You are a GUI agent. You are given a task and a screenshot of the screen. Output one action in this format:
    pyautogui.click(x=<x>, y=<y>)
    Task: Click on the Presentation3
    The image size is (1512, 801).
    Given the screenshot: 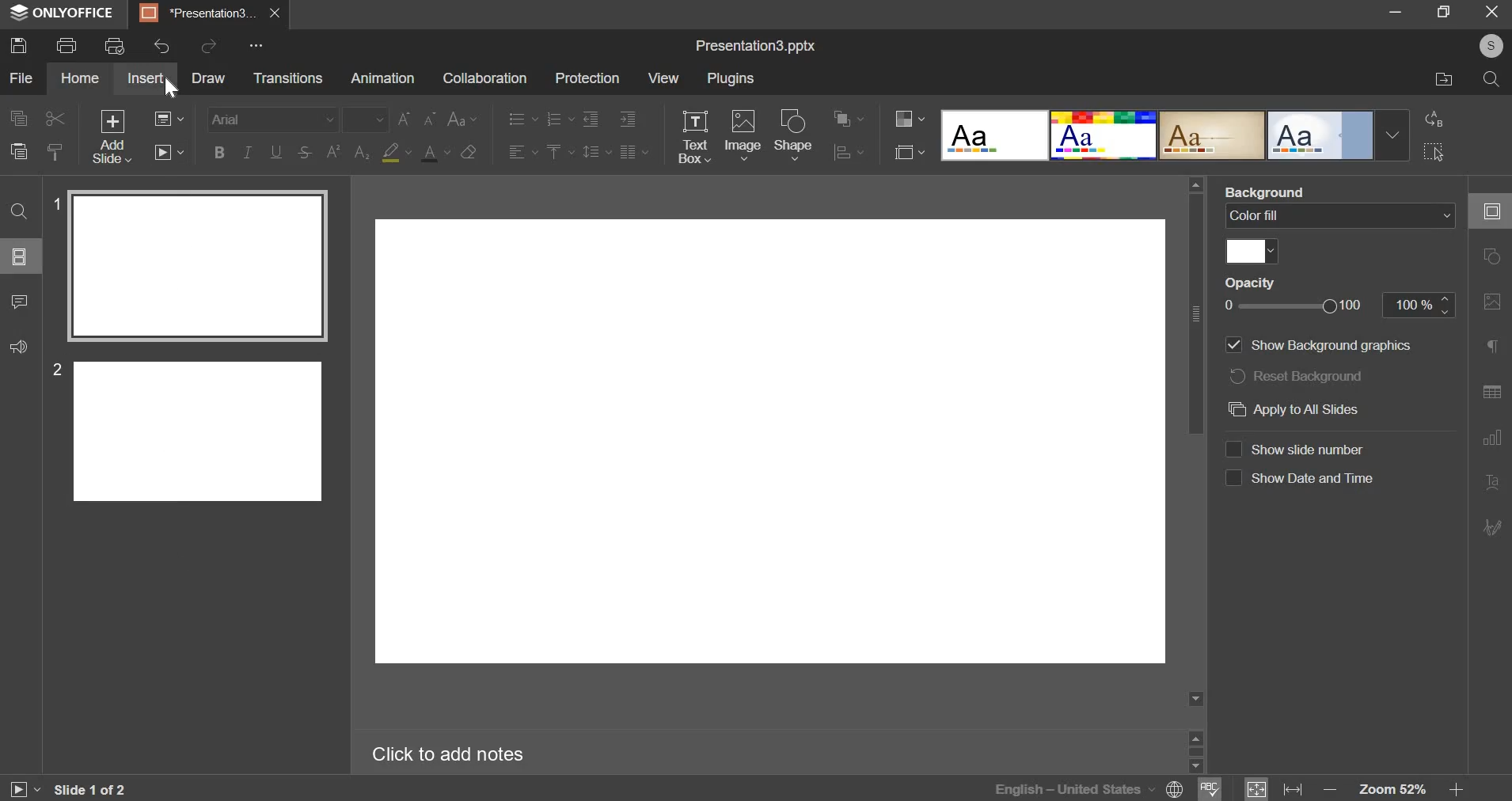 What is the action you would take?
    pyautogui.click(x=195, y=16)
    